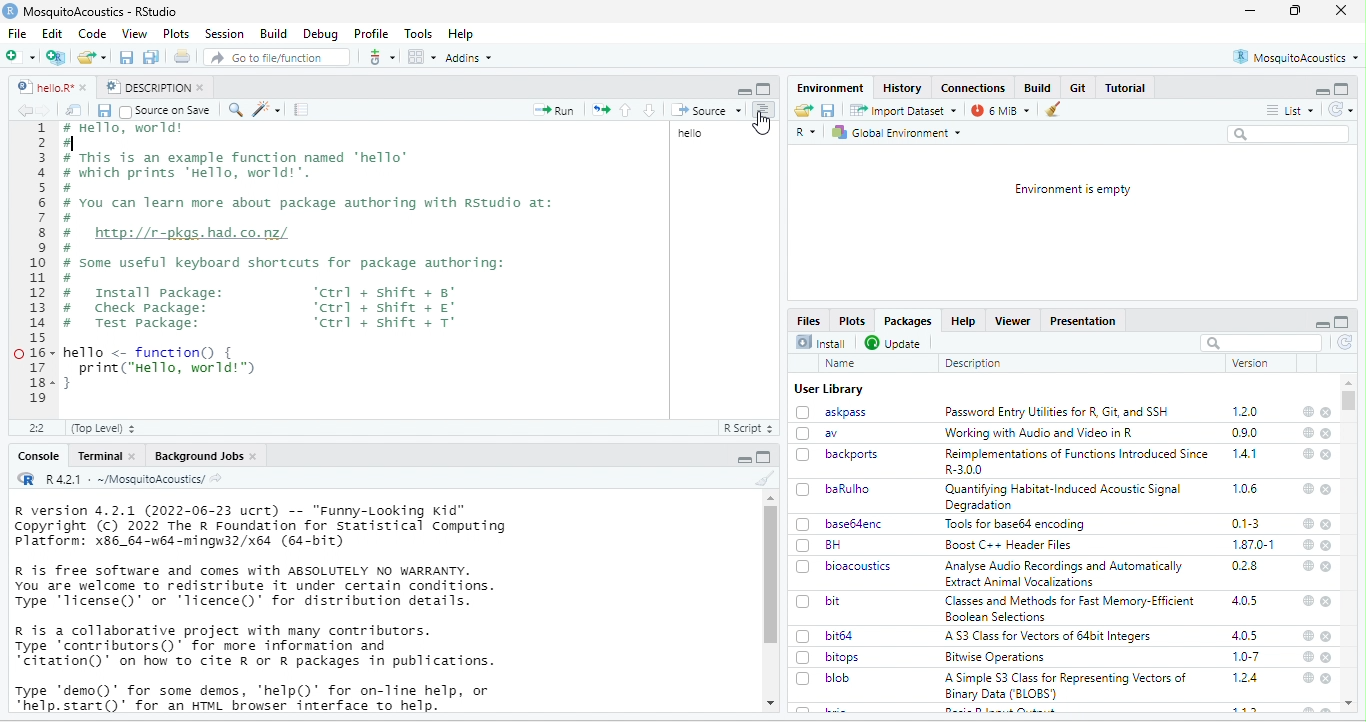 The height and width of the screenshot is (722, 1366). What do you see at coordinates (746, 426) in the screenshot?
I see `R Script` at bounding box center [746, 426].